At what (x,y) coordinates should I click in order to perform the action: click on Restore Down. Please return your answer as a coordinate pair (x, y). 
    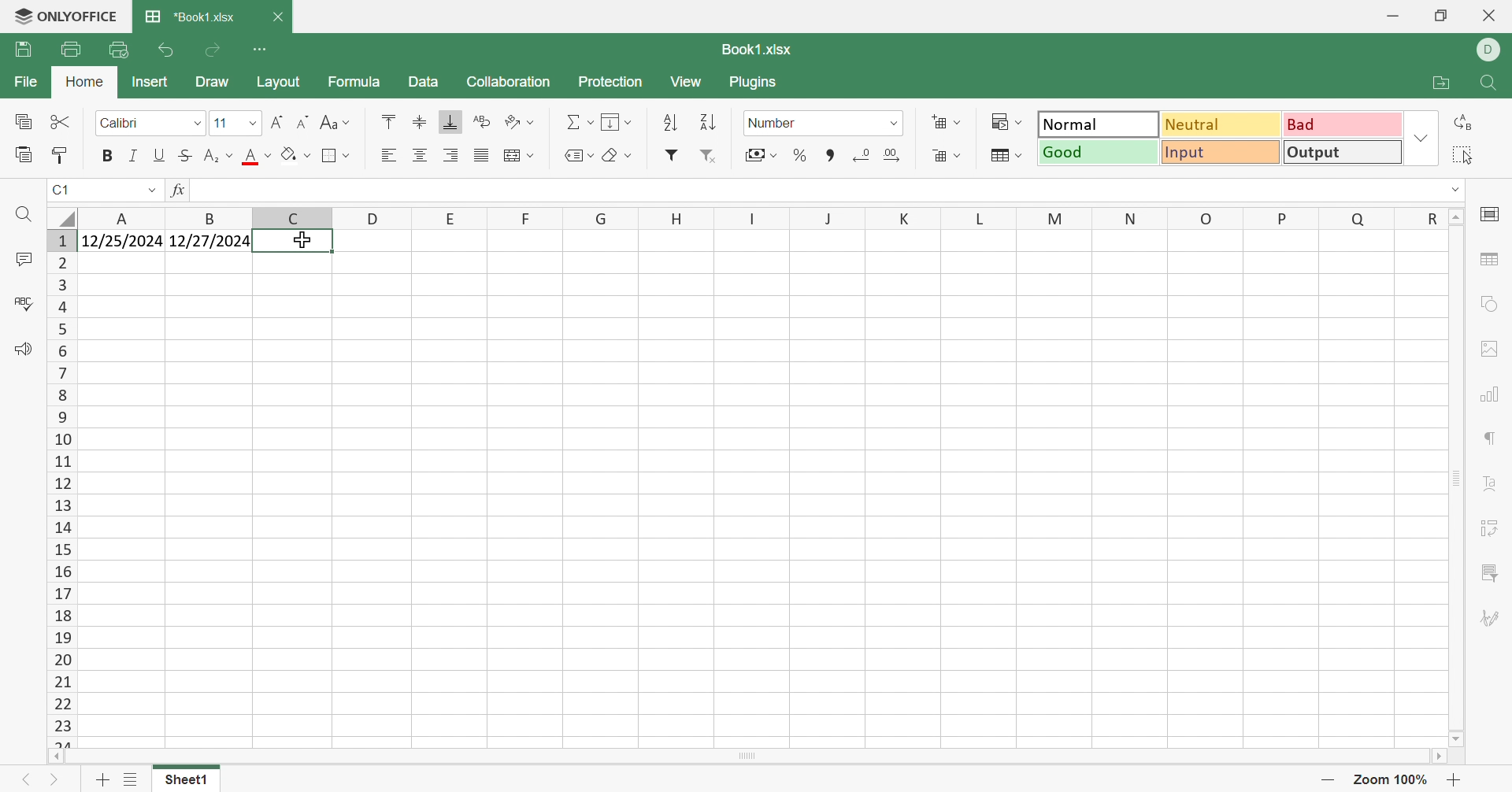
    Looking at the image, I should click on (1442, 16).